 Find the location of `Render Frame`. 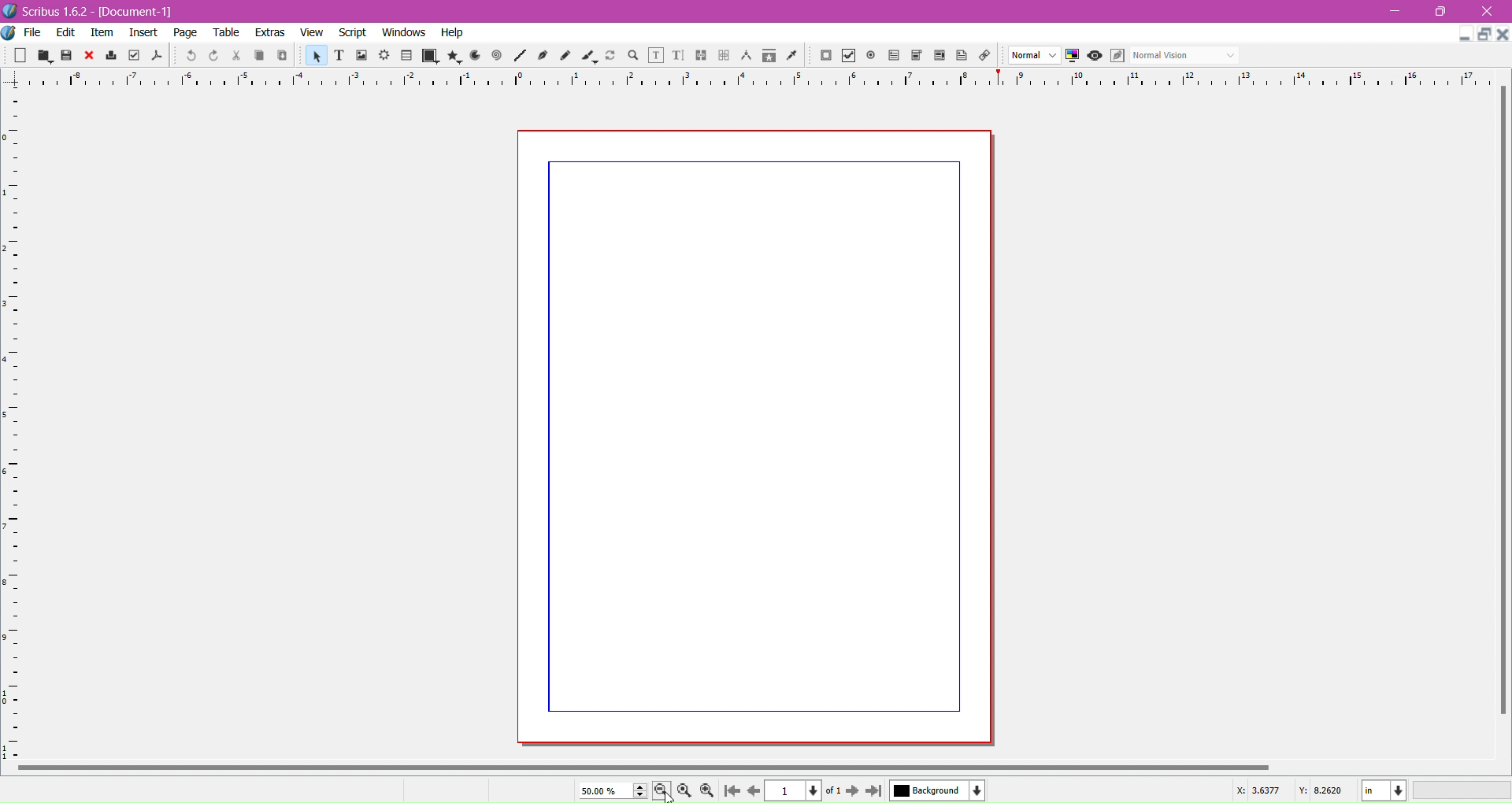

Render Frame is located at coordinates (385, 56).